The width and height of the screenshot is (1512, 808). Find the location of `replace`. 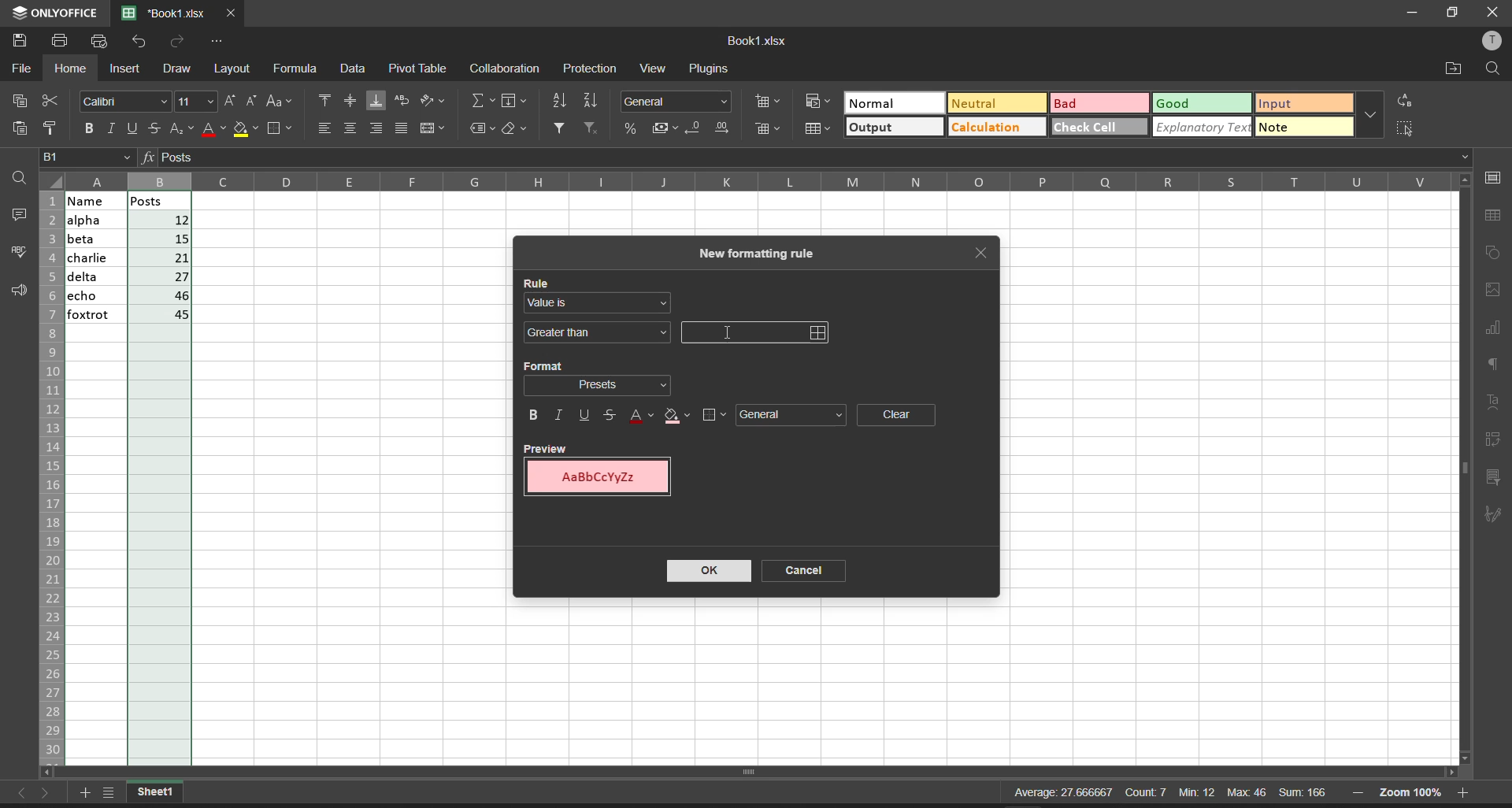

replace is located at coordinates (1408, 98).